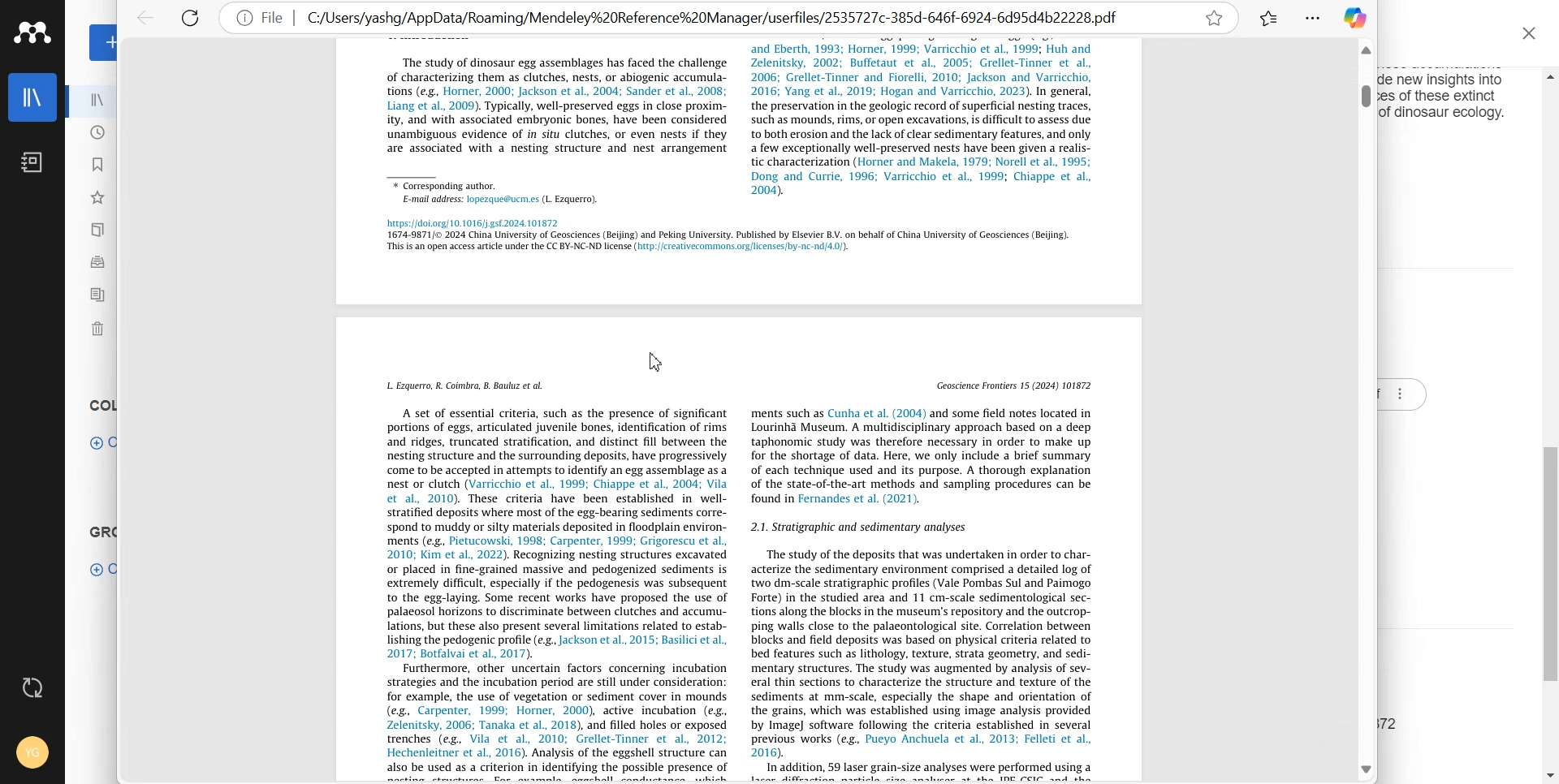  I want to click on File path address, so click(729, 17).